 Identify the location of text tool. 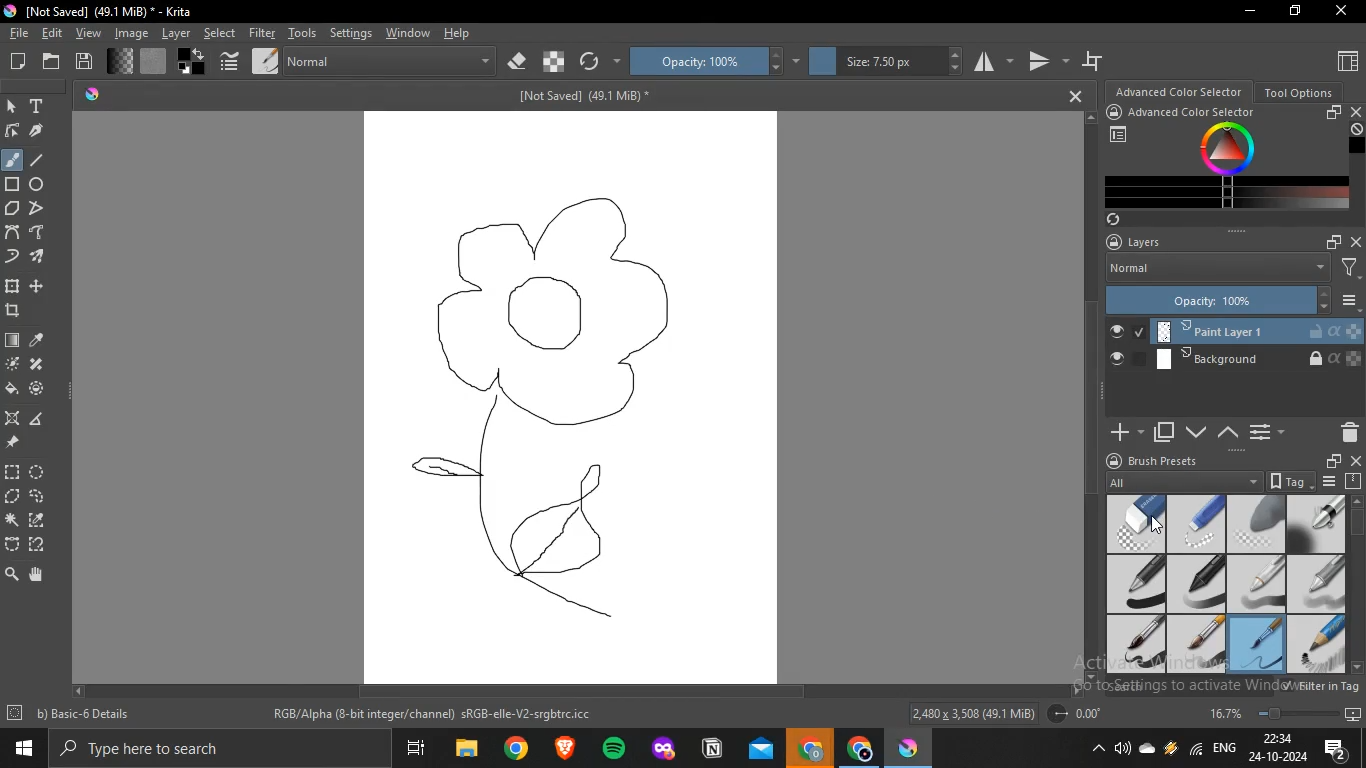
(38, 105).